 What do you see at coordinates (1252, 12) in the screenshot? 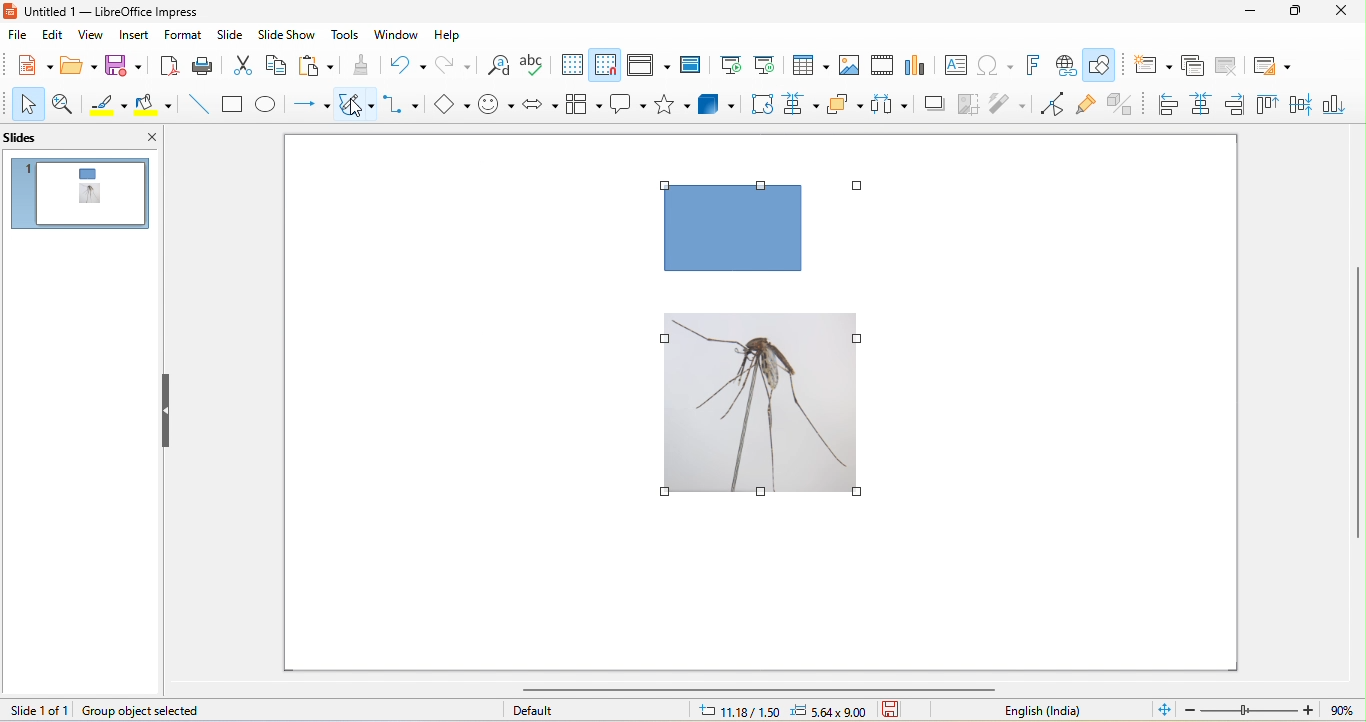
I see `minimize` at bounding box center [1252, 12].